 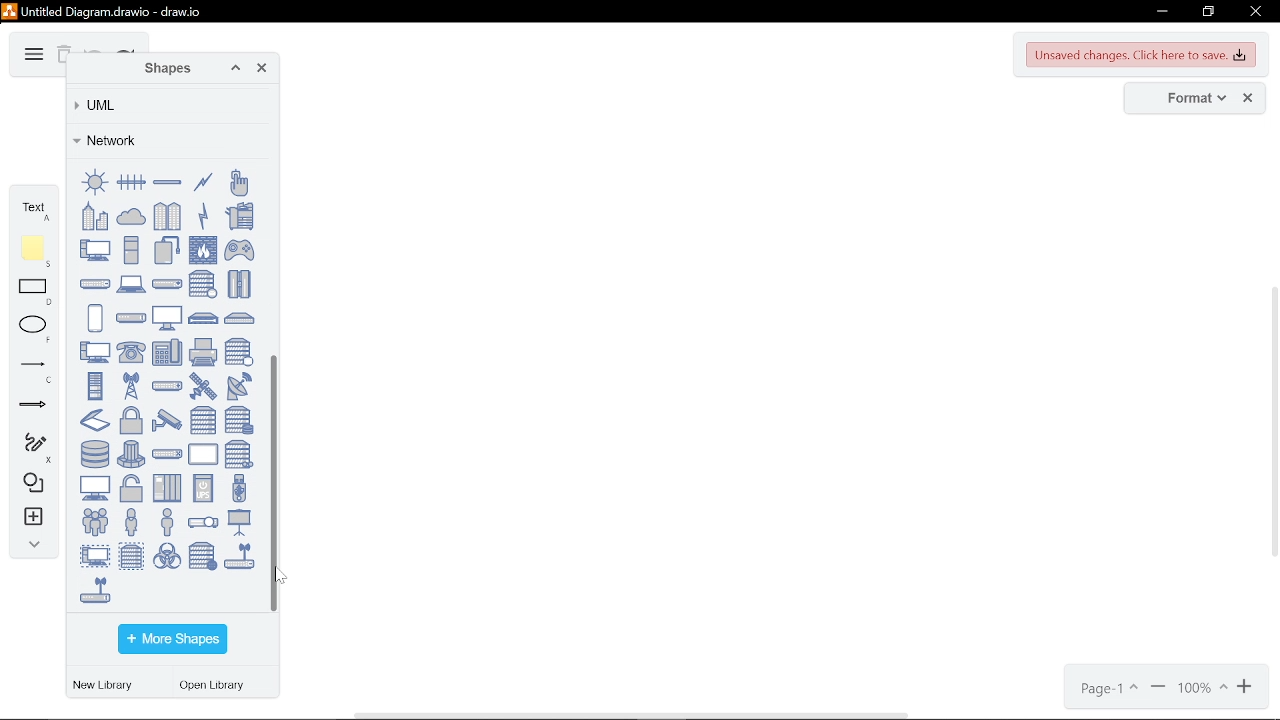 I want to click on web server, so click(x=203, y=556).